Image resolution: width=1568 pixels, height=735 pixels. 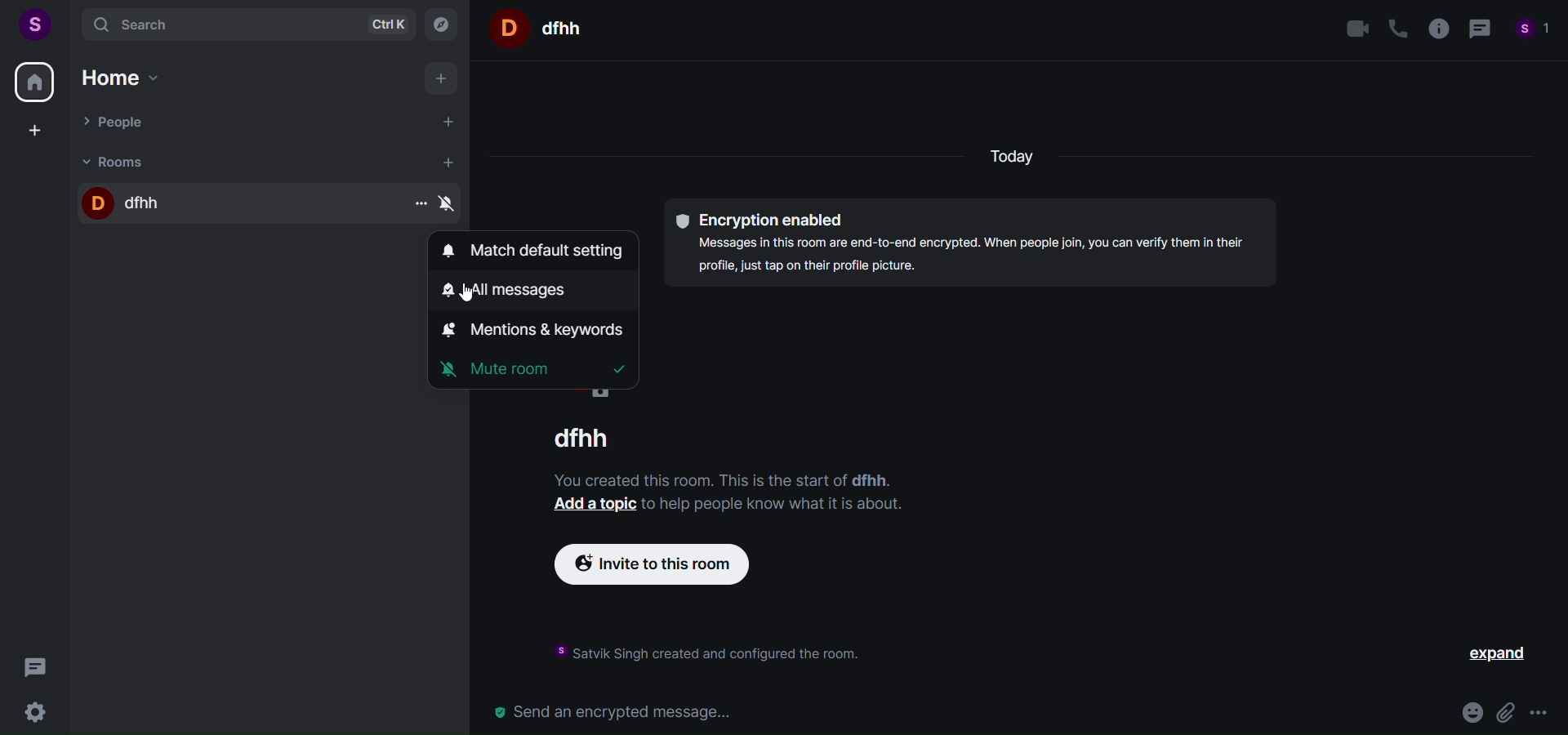 I want to click on Encryption enabled Messages in this room are end-to-end encrypted. When people join, you can verify them in theirprofile, just tap on their profile picture., so click(x=969, y=243).